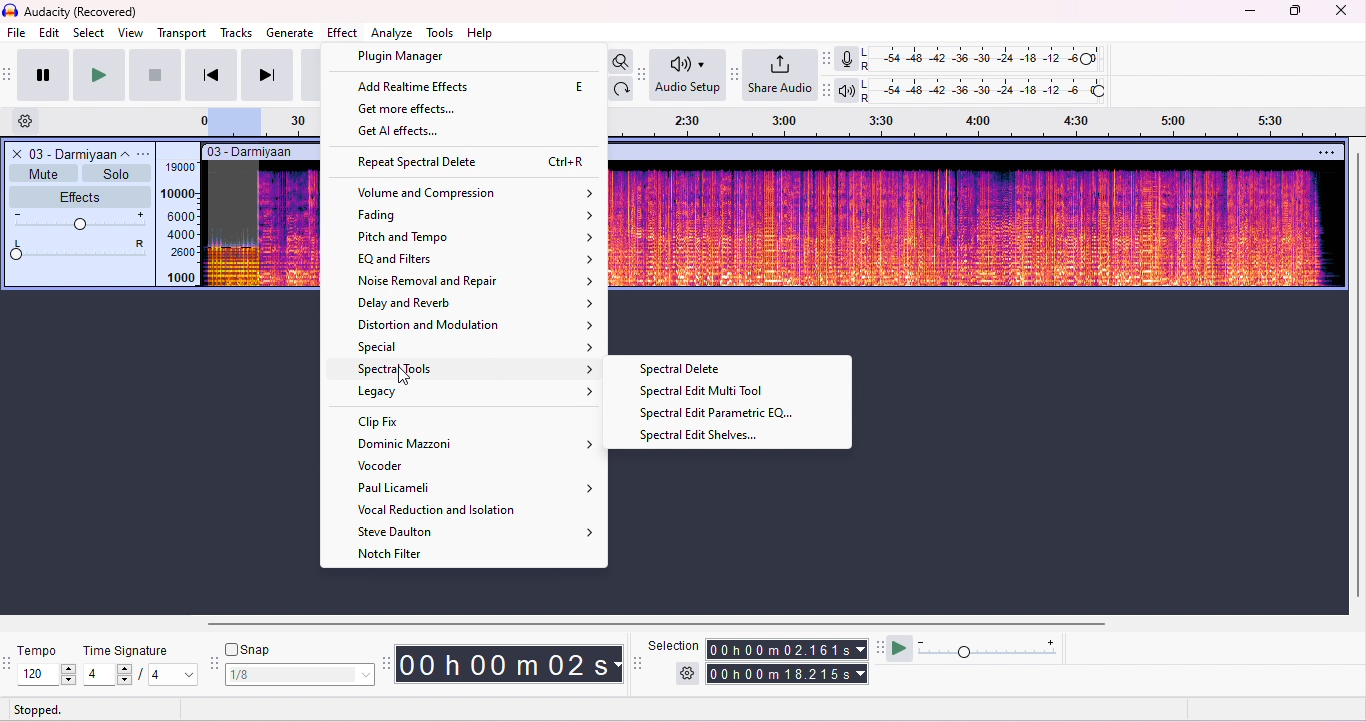  I want to click on minimize, so click(1250, 14).